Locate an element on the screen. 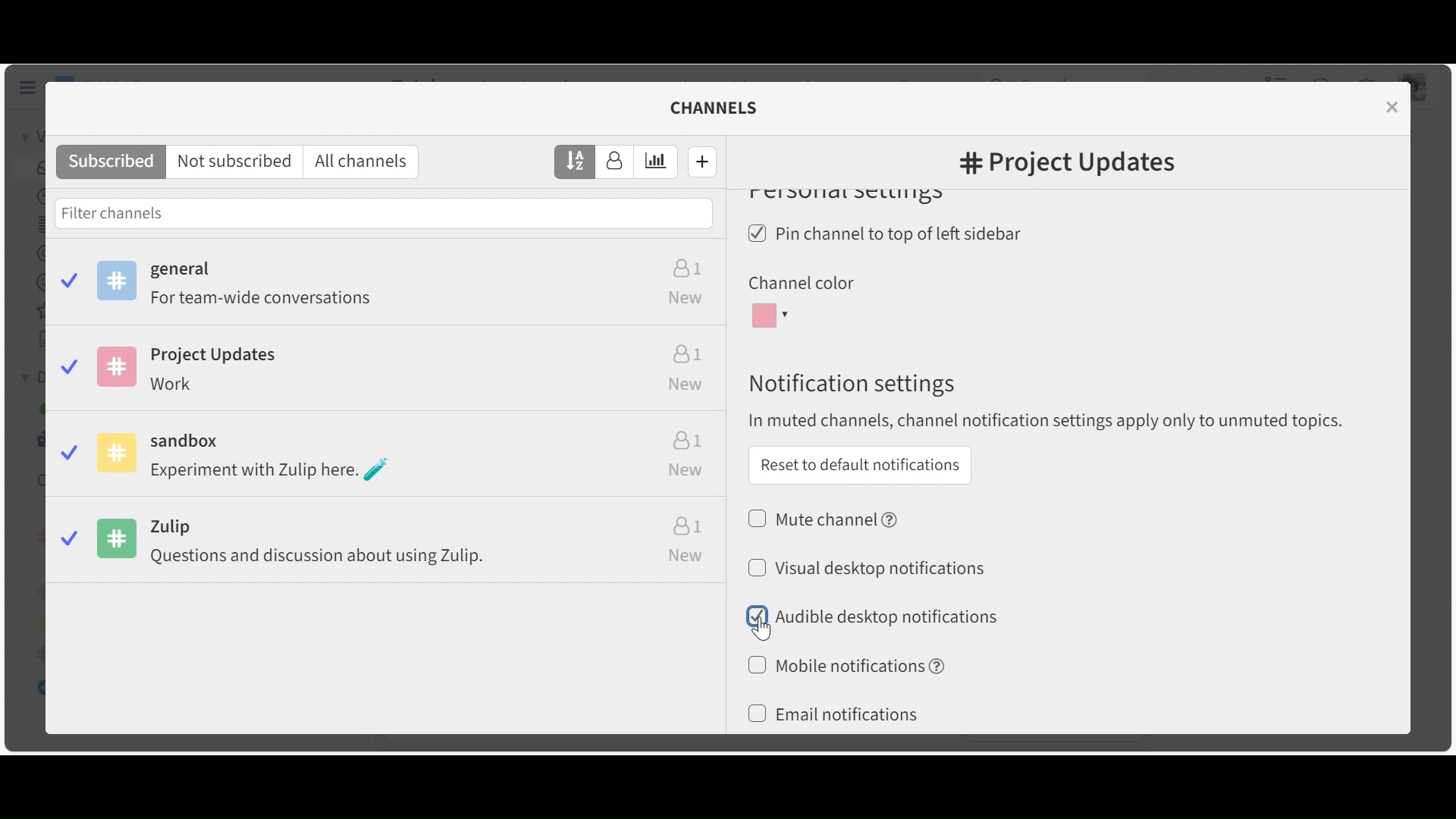 Image resolution: width=1456 pixels, height=819 pixels. (un)select Mute channel  is located at coordinates (825, 518).